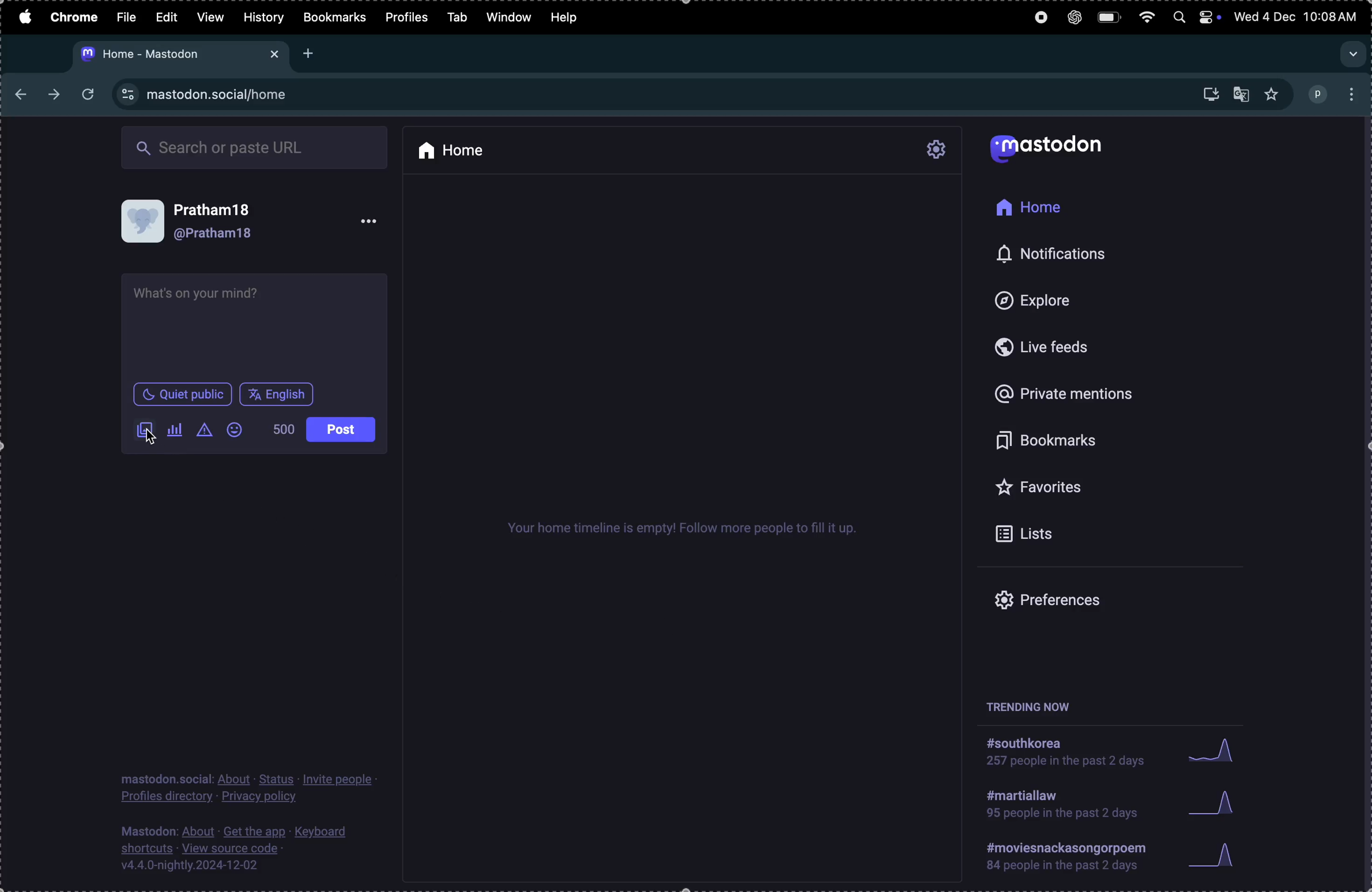 This screenshot has width=1372, height=892. I want to click on source code description, so click(238, 848).